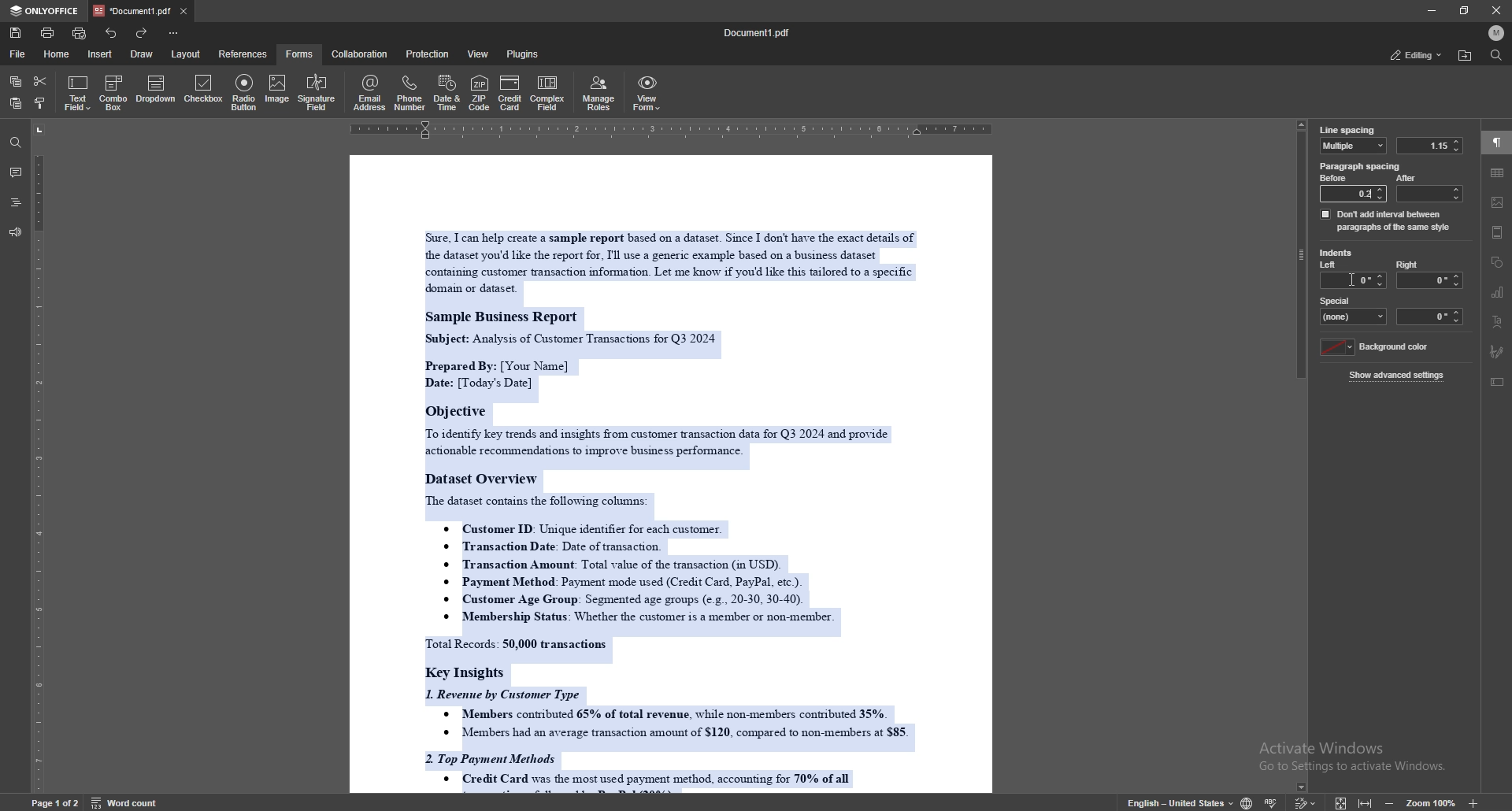 Image resolution: width=1512 pixels, height=811 pixels. Describe the element at coordinates (144, 53) in the screenshot. I see `draw` at that location.